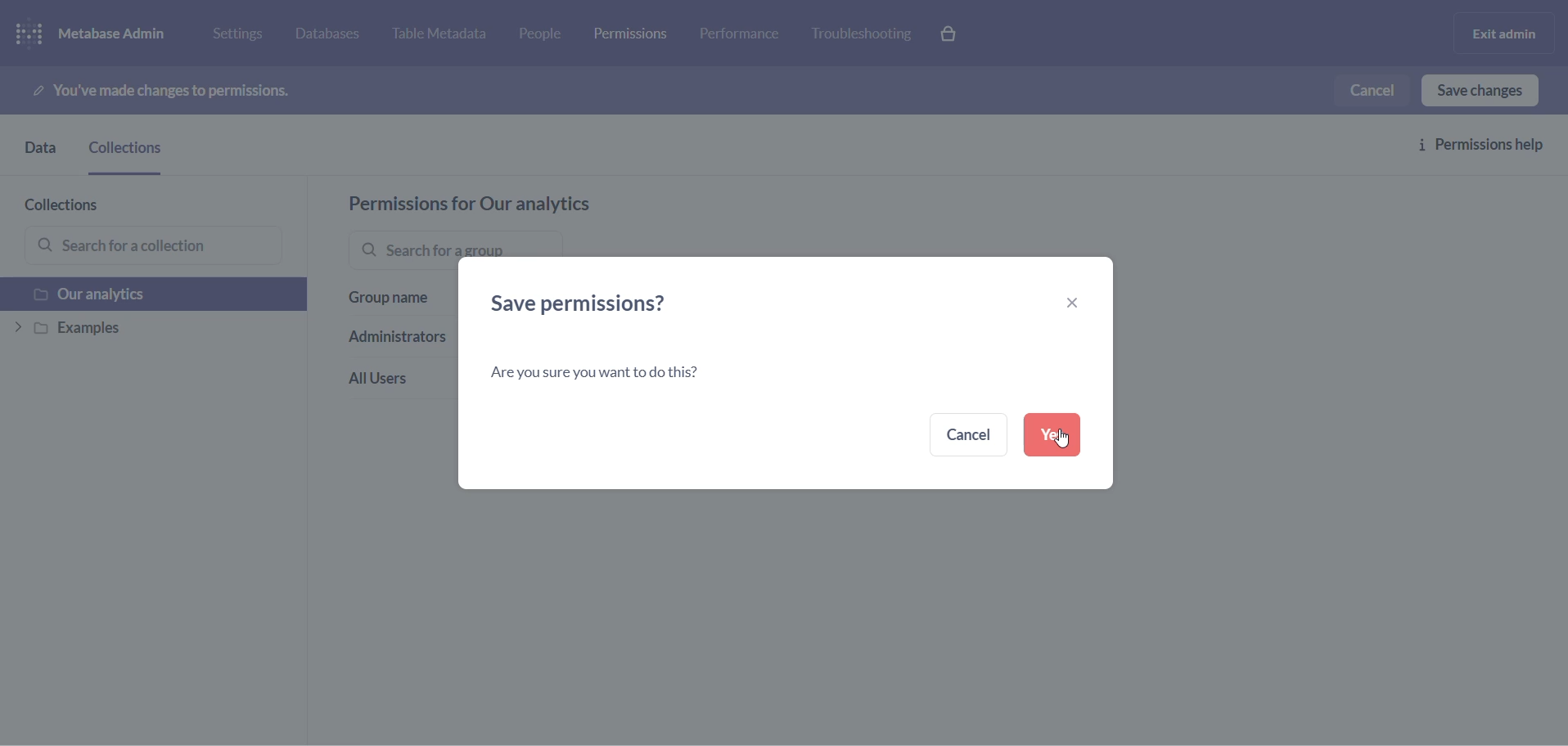  I want to click on cursor, so click(1061, 439).